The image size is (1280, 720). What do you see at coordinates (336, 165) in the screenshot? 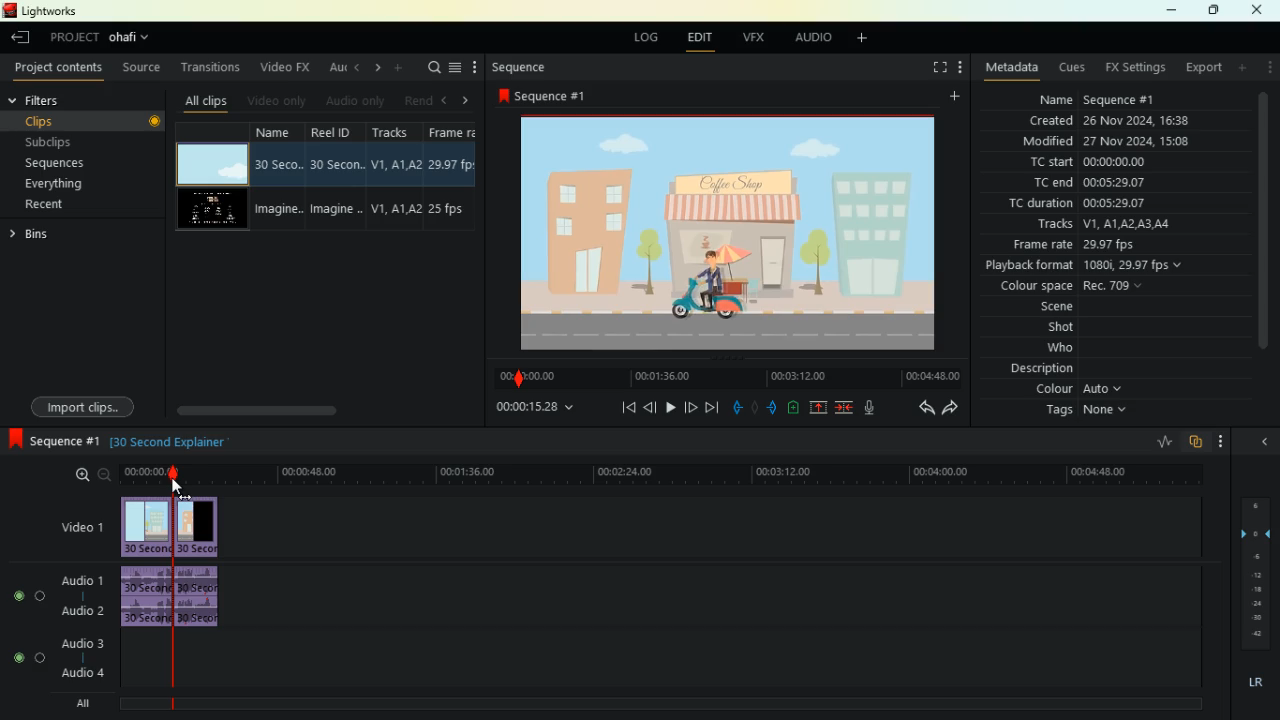
I see `30 seco` at bounding box center [336, 165].